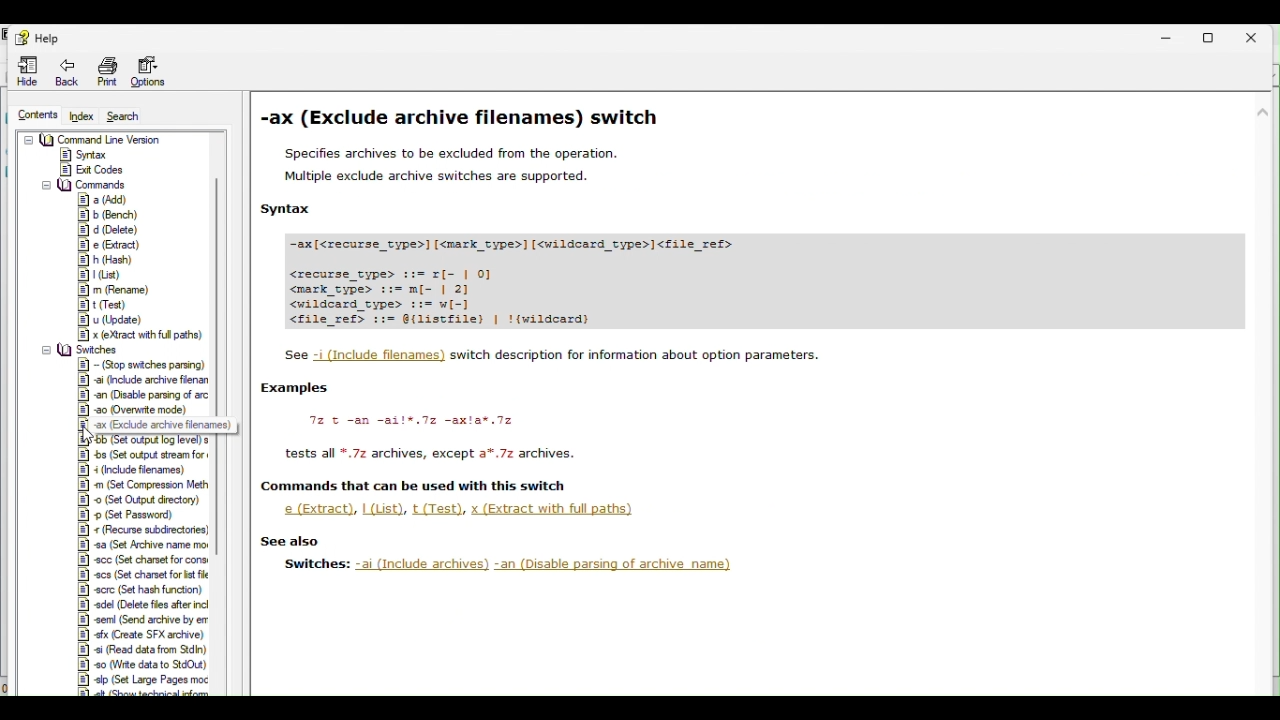  I want to click on 8] «i (Read data from Stdin), so click(141, 649).